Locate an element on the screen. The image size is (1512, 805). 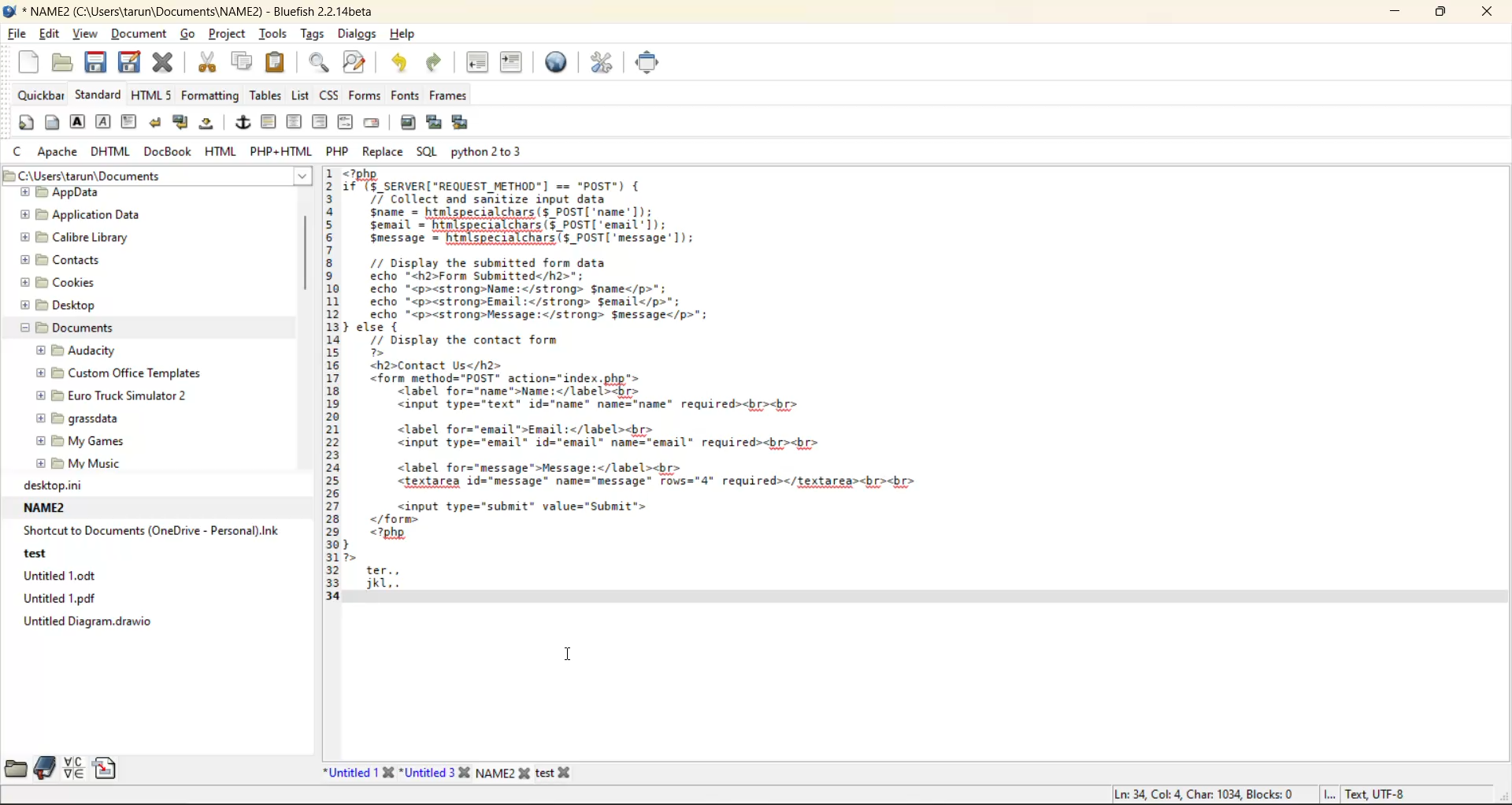
NAME2 is located at coordinates (506, 772).